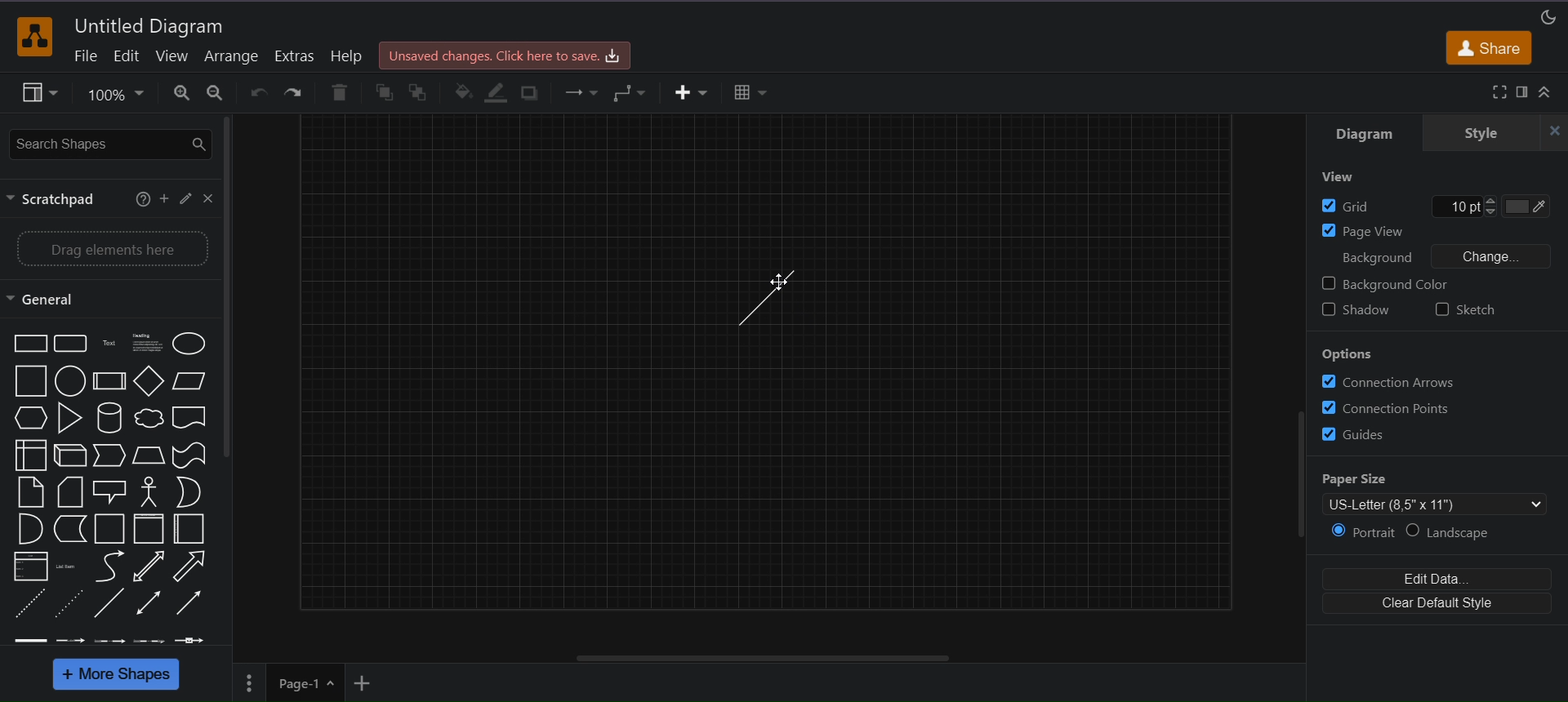 The width and height of the screenshot is (1568, 702). I want to click on connector line shape, so click(772, 300).